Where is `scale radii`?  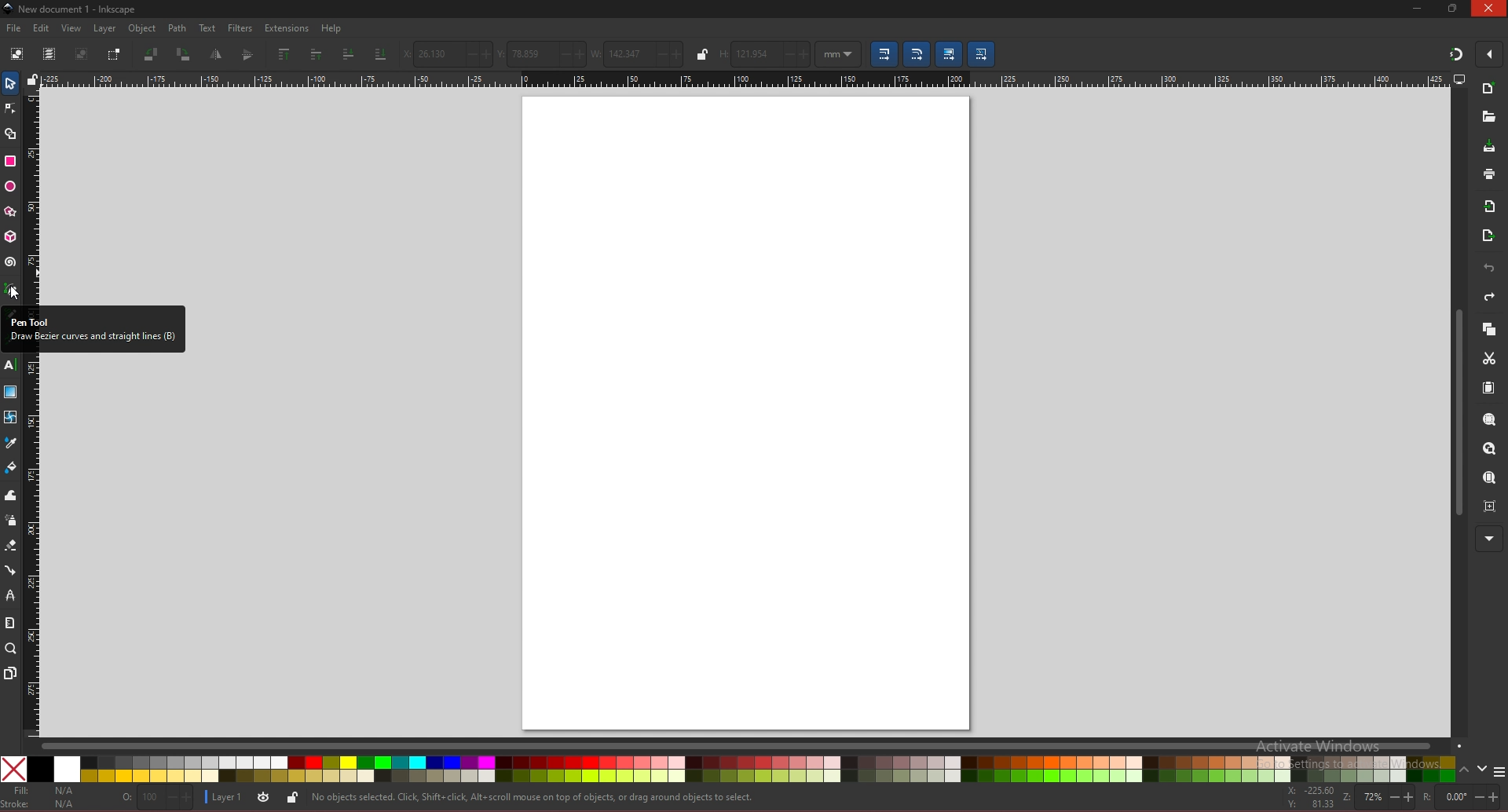 scale radii is located at coordinates (917, 54).